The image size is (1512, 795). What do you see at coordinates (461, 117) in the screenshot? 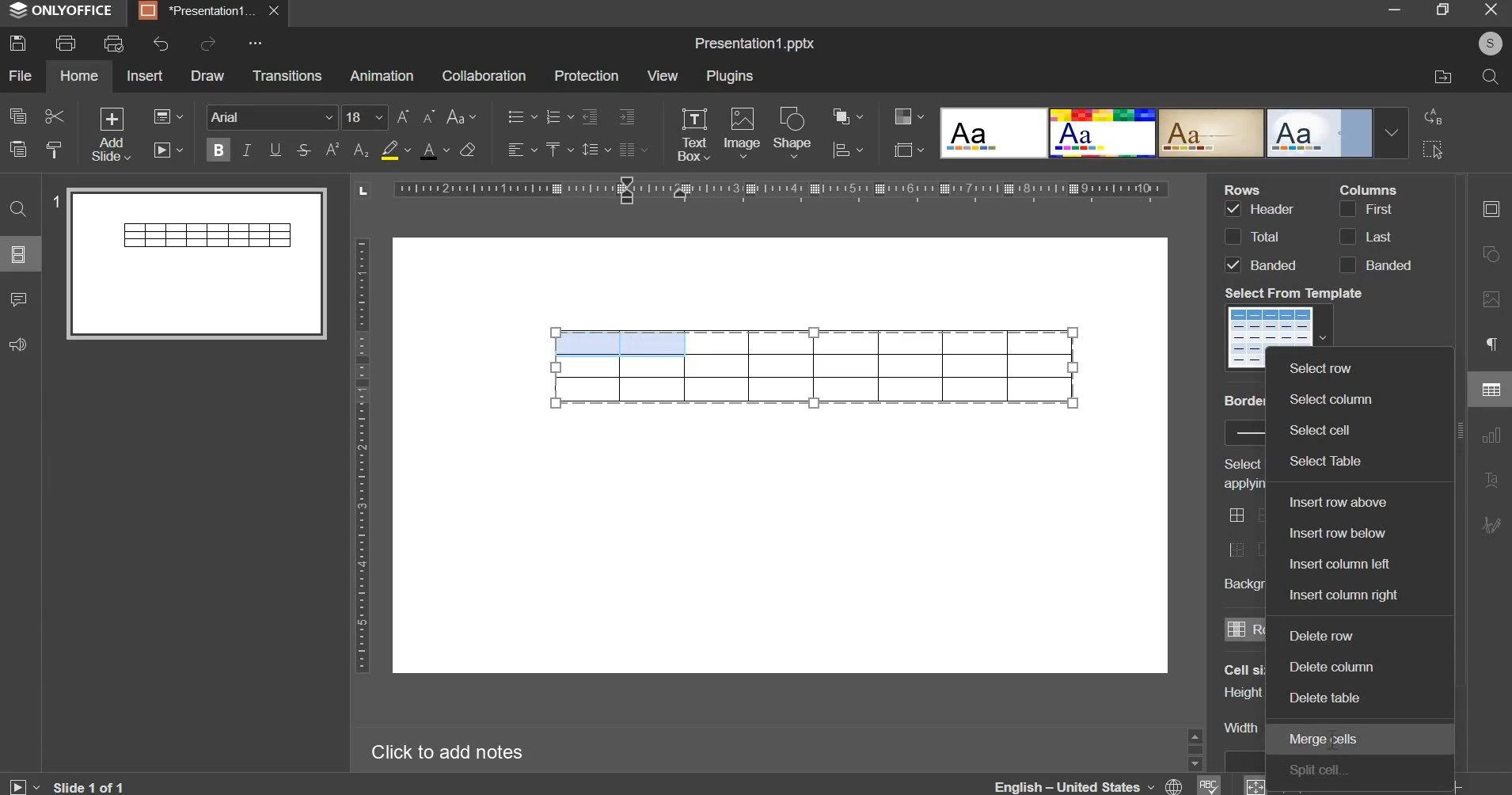
I see `change case` at bounding box center [461, 117].